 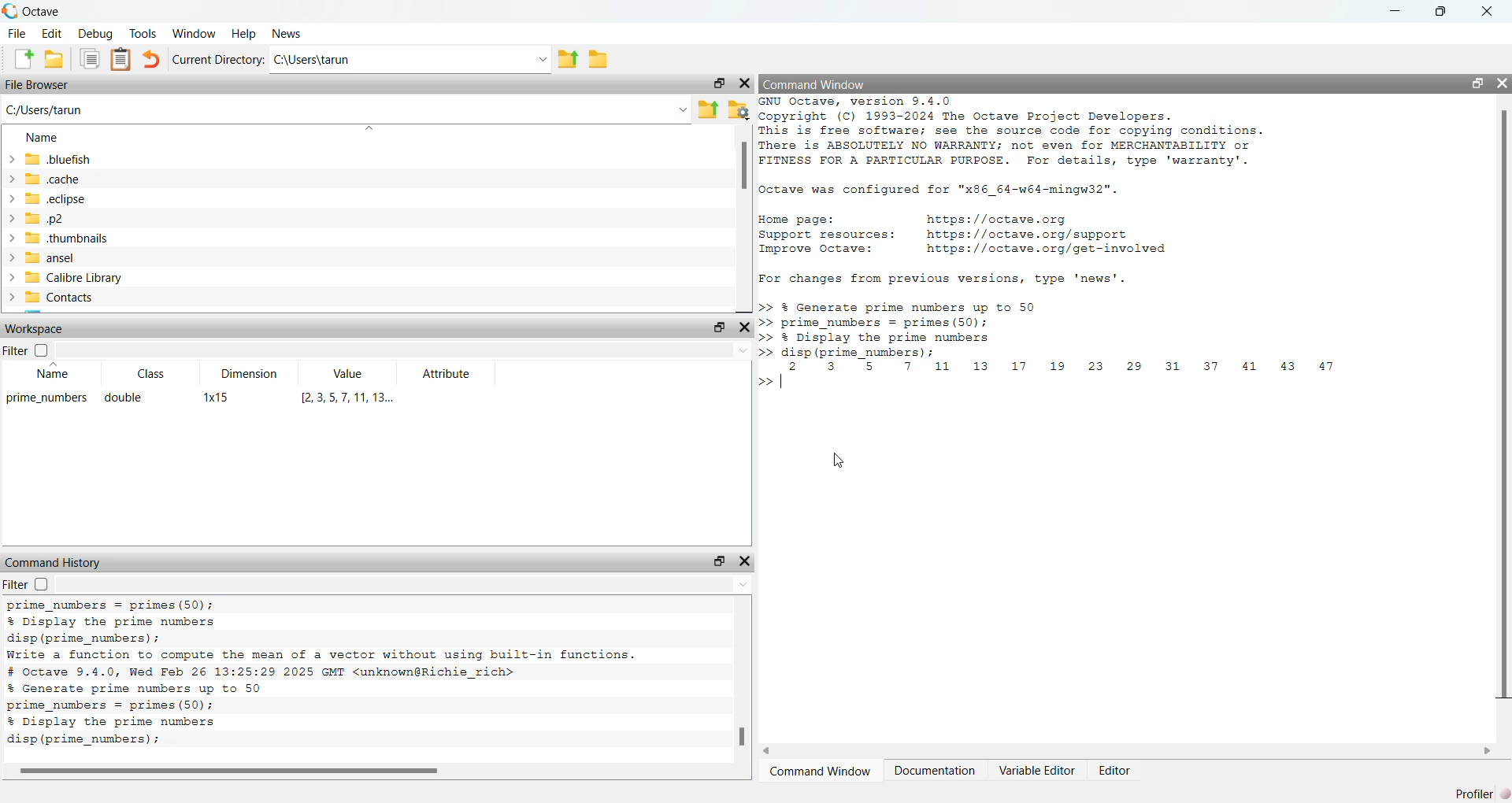 What do you see at coordinates (1440, 9) in the screenshot?
I see `maximise` at bounding box center [1440, 9].